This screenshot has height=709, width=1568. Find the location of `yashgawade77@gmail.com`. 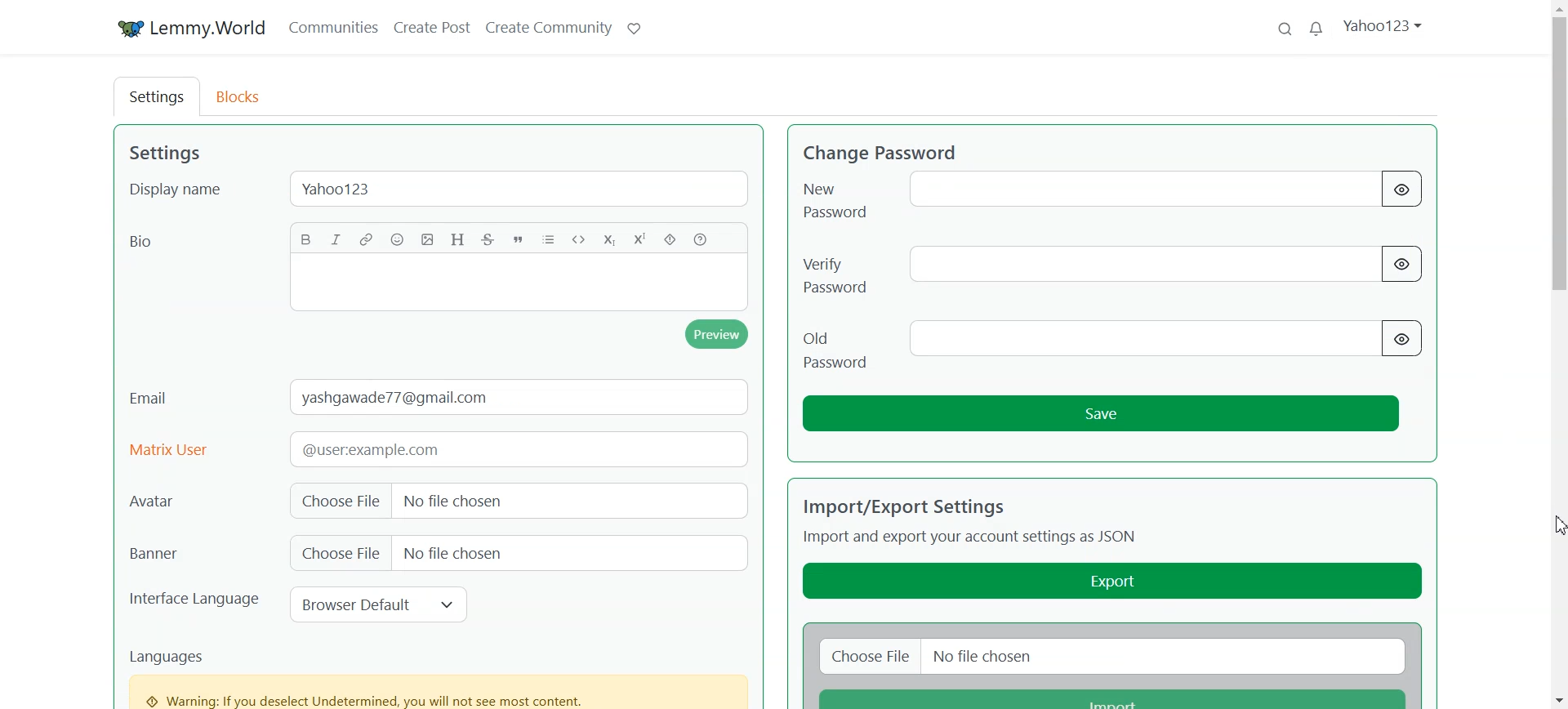

yashgawade77@gmail.com is located at coordinates (519, 395).